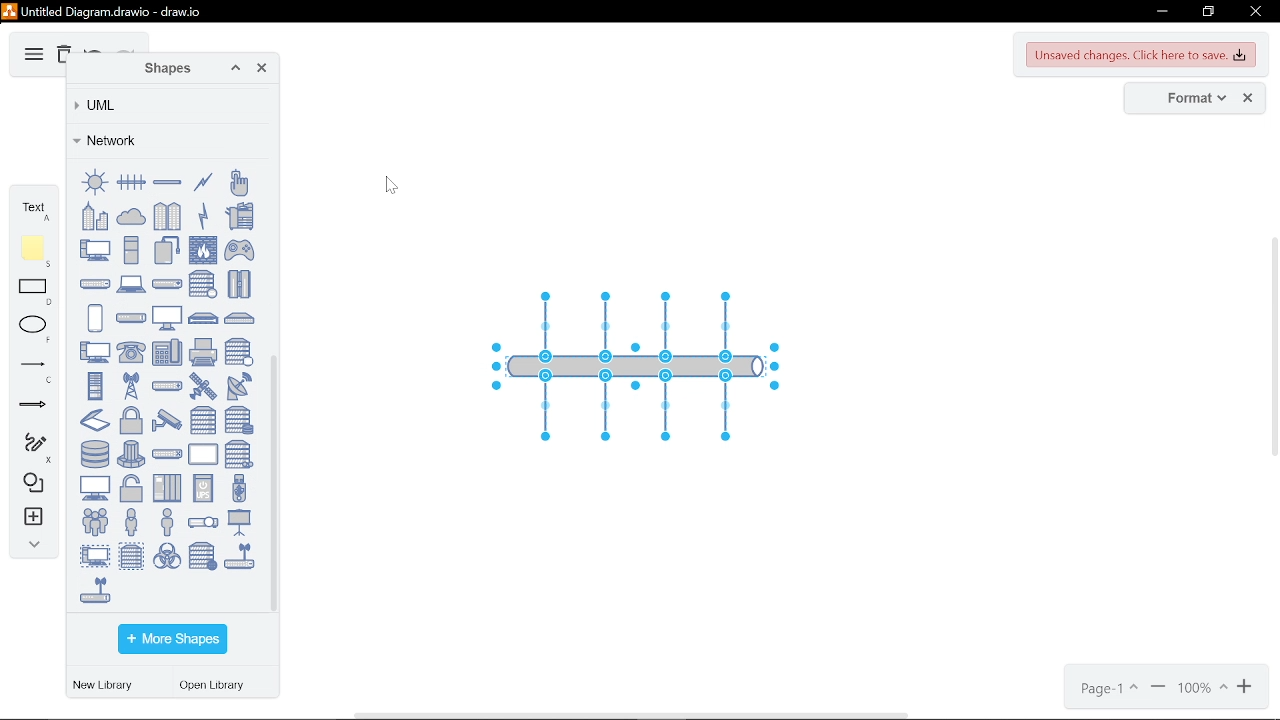 The image size is (1280, 720). What do you see at coordinates (33, 408) in the screenshot?
I see `arrows` at bounding box center [33, 408].